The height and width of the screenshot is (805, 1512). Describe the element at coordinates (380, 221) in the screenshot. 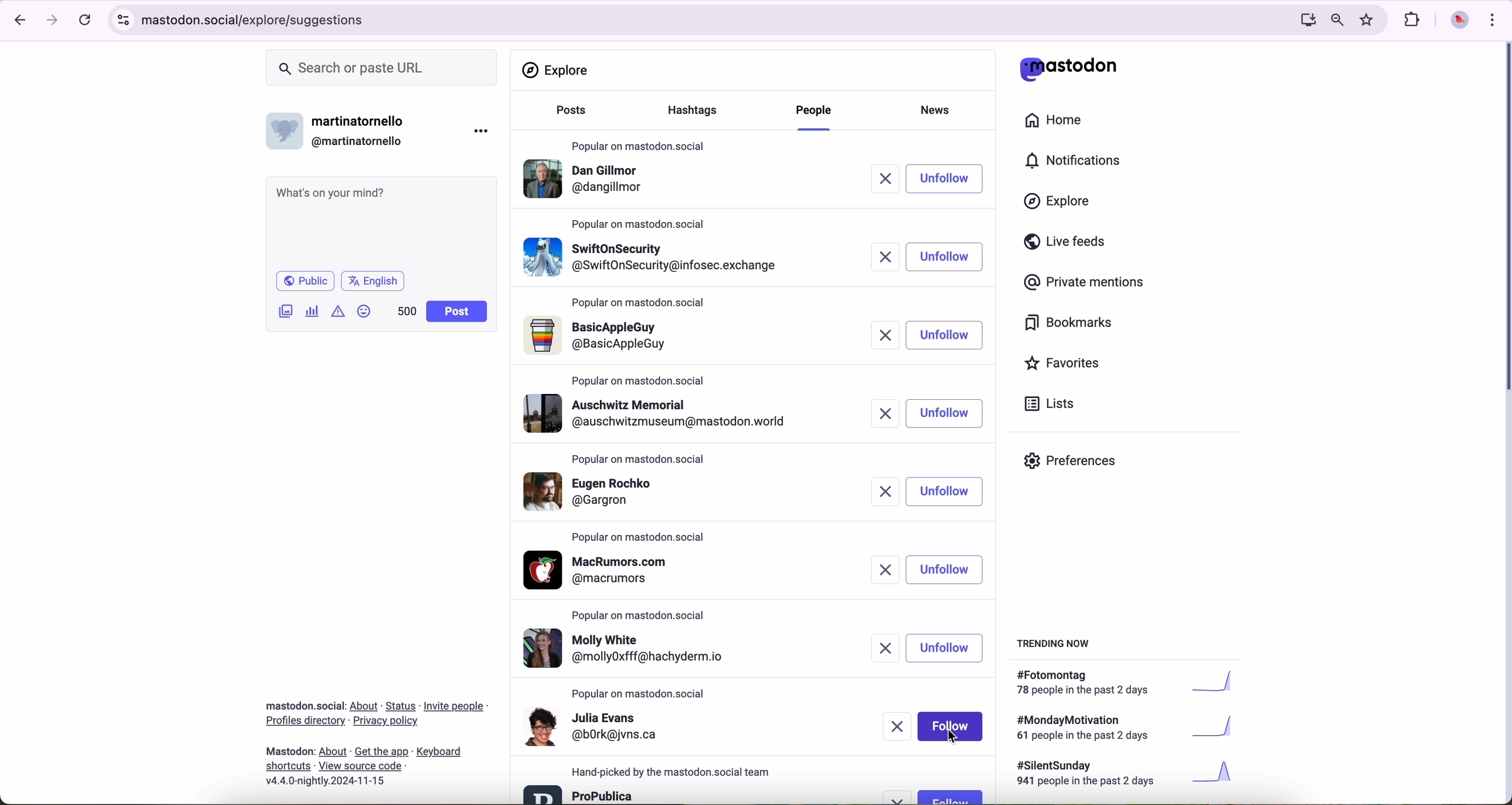

I see `what's on your mind?` at that location.